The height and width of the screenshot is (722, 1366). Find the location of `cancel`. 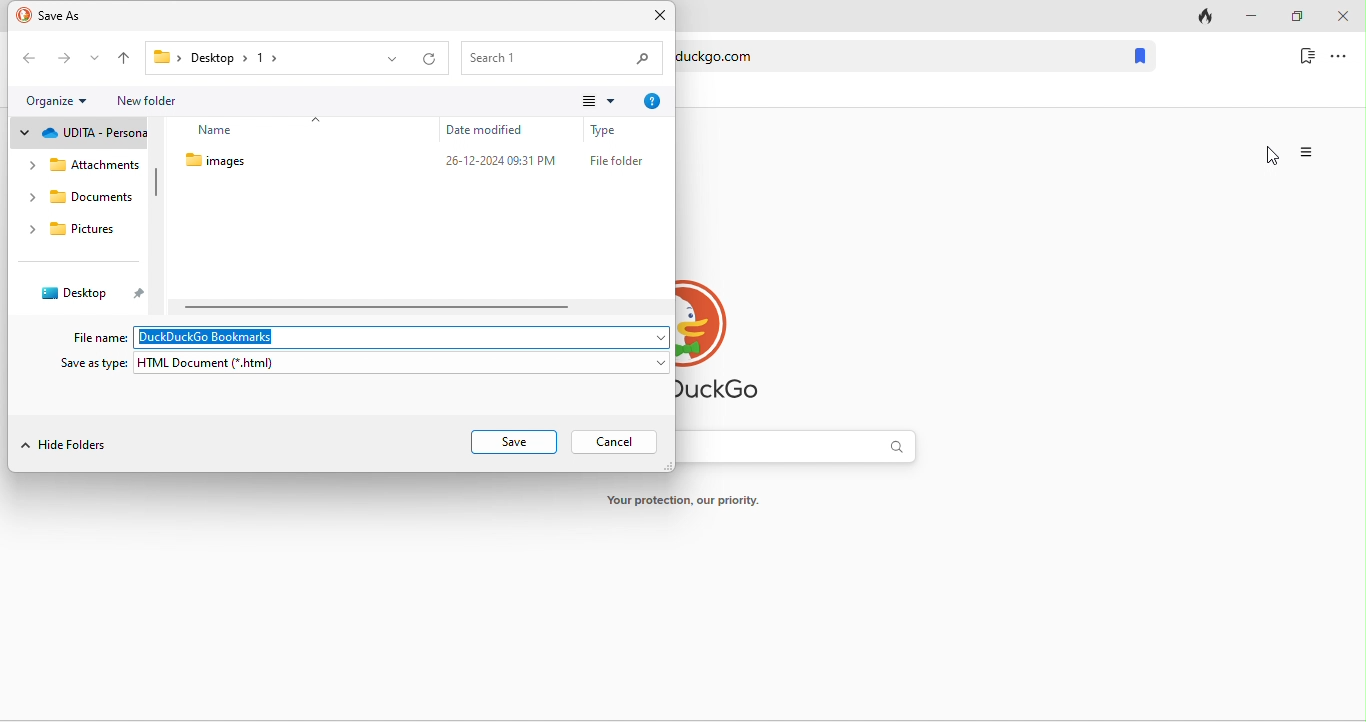

cancel is located at coordinates (613, 441).